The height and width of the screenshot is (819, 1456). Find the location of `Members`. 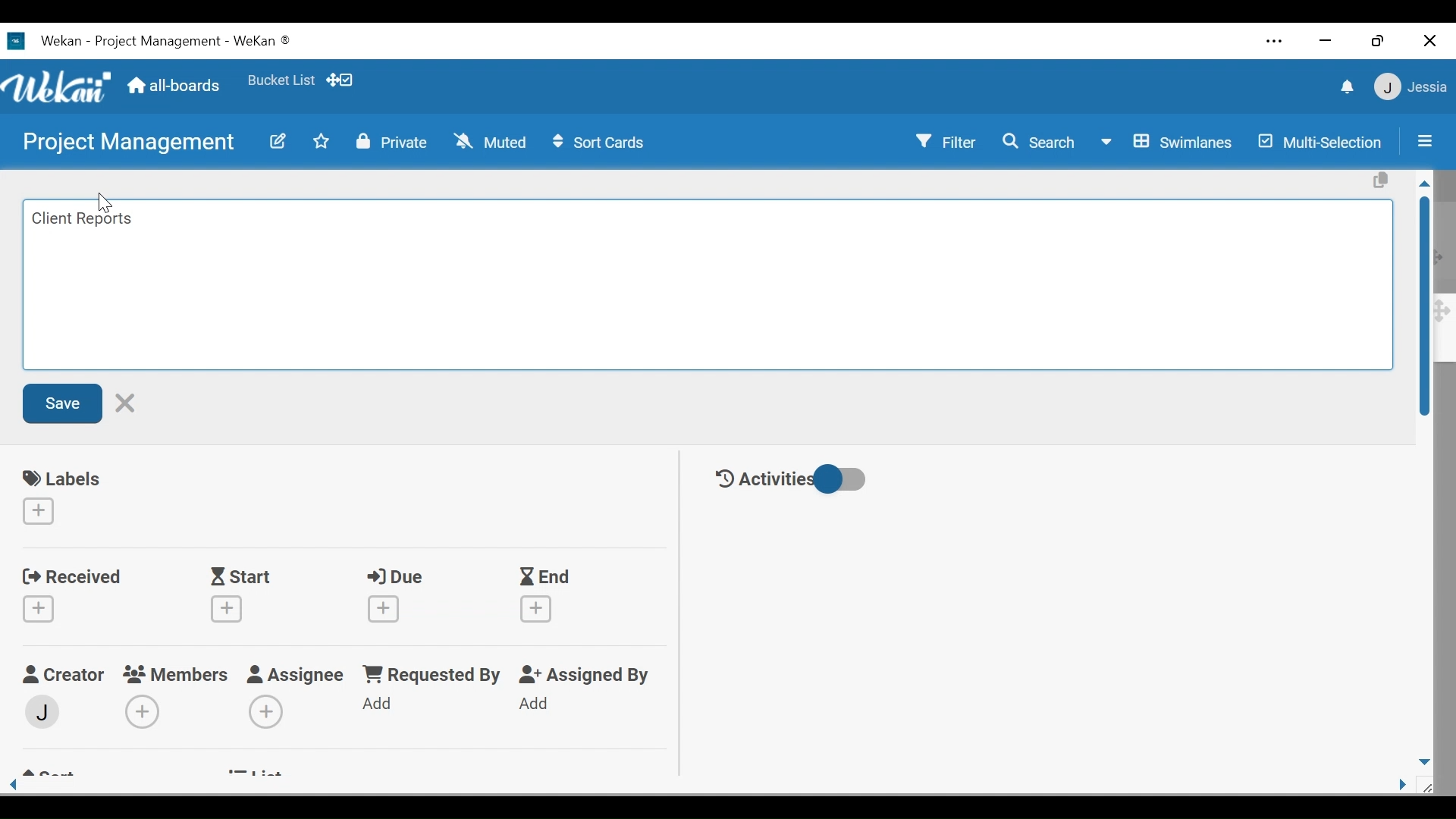

Members is located at coordinates (177, 673).